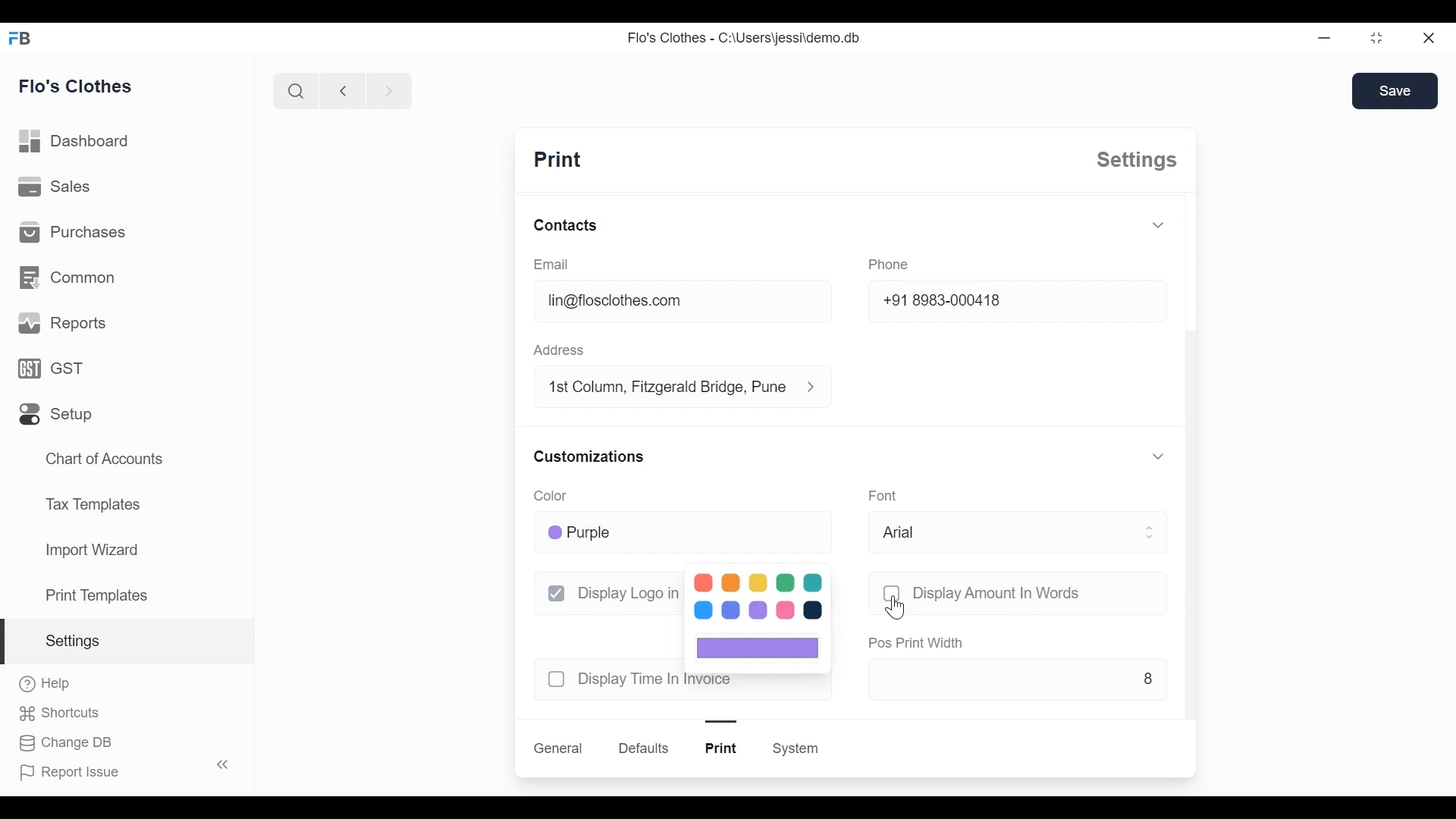 Image resolution: width=1456 pixels, height=819 pixels. What do you see at coordinates (684, 300) in the screenshot?
I see `lin@floclothes.com` at bounding box center [684, 300].